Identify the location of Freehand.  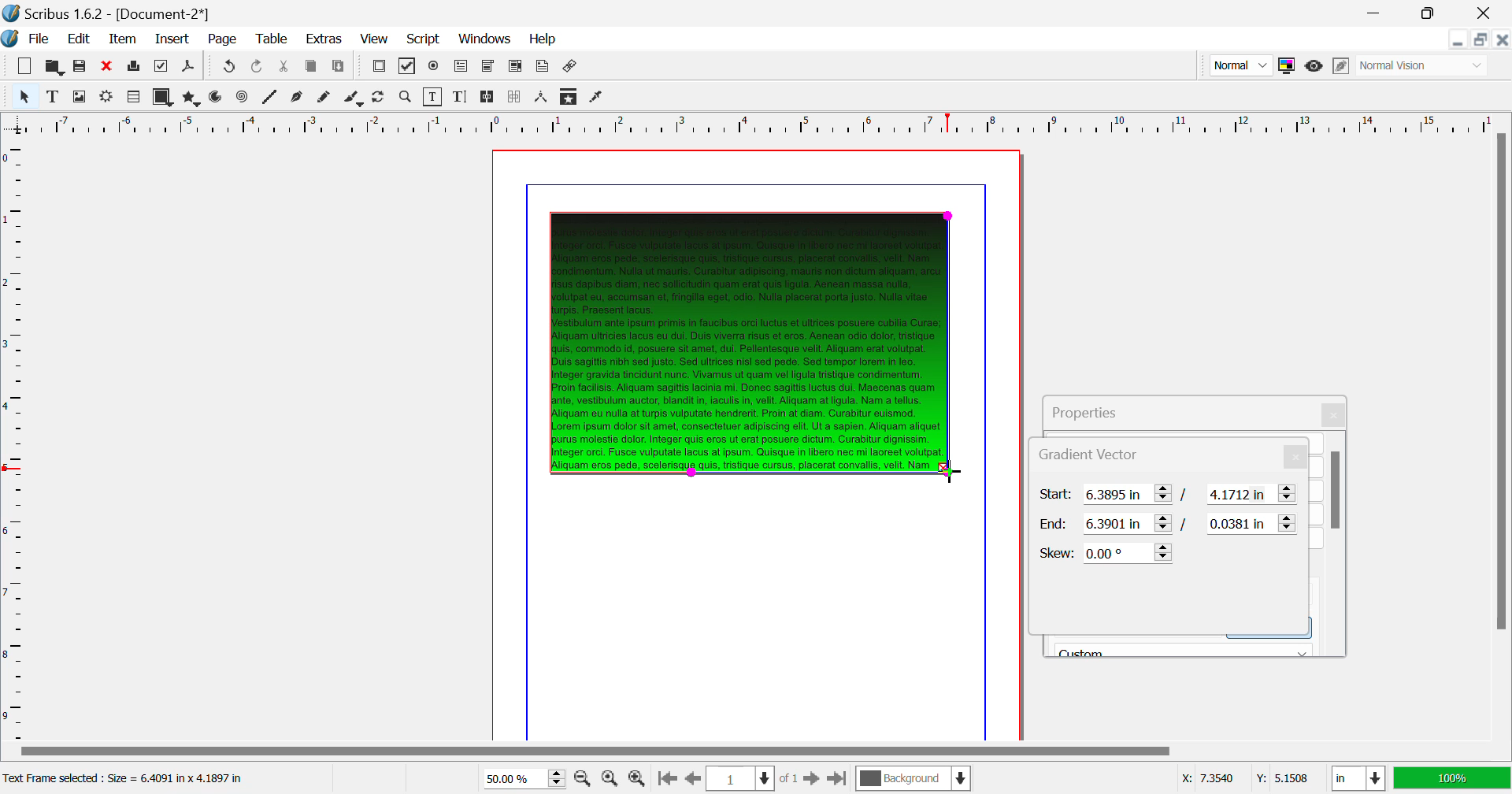
(326, 98).